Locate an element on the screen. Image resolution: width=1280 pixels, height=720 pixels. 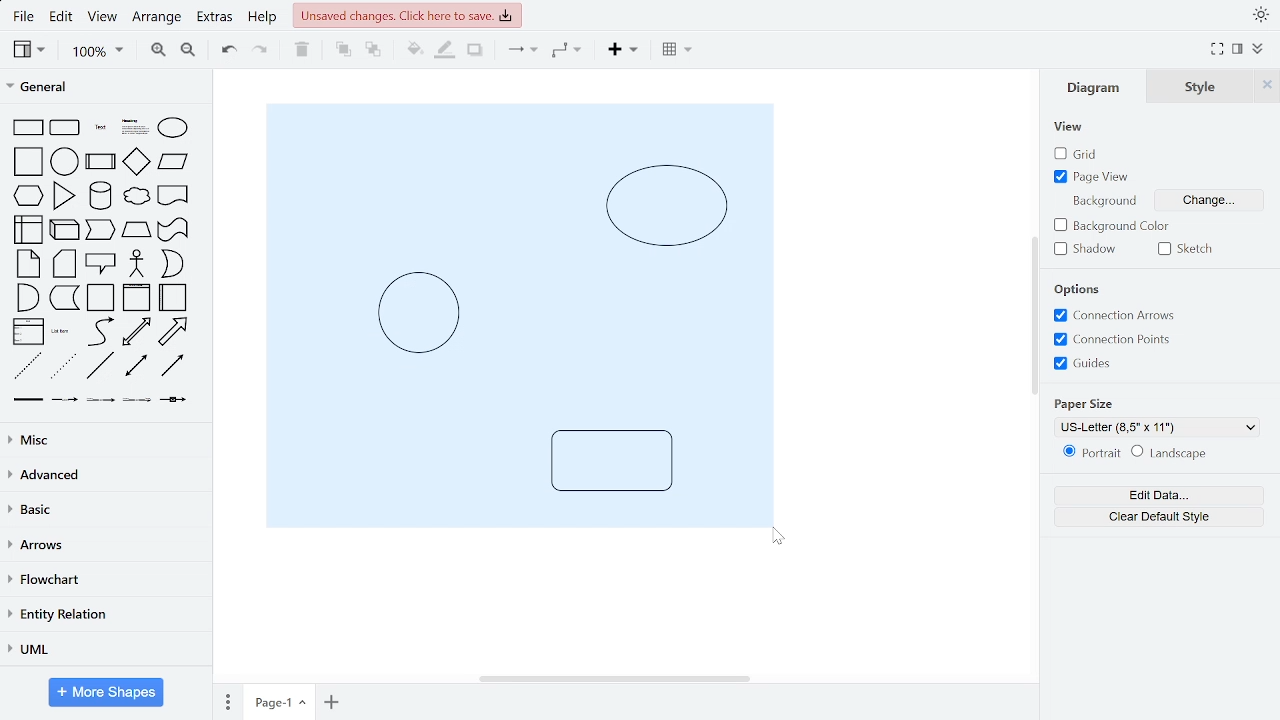
link is located at coordinates (29, 403).